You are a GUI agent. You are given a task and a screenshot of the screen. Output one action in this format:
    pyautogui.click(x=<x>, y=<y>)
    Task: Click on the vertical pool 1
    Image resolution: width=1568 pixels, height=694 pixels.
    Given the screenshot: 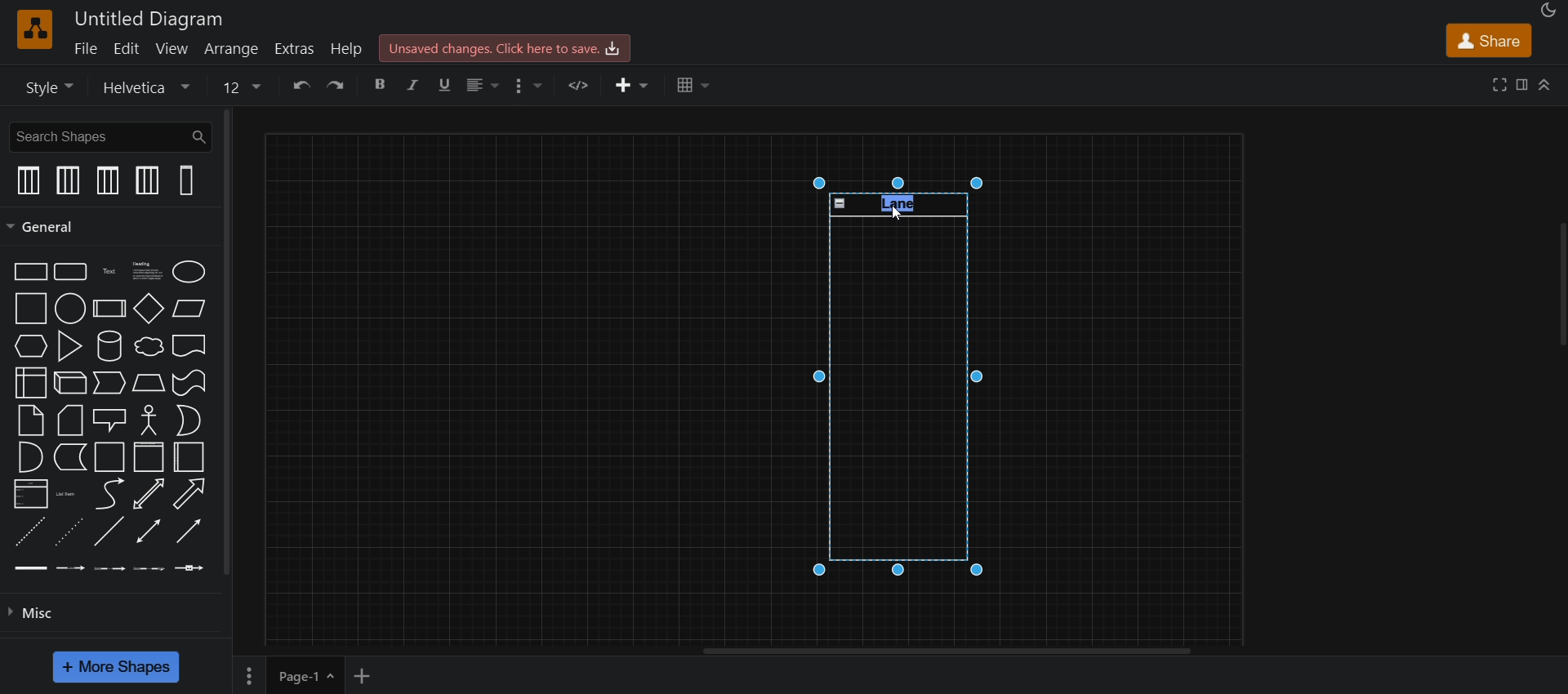 What is the action you would take?
    pyautogui.click(x=28, y=180)
    